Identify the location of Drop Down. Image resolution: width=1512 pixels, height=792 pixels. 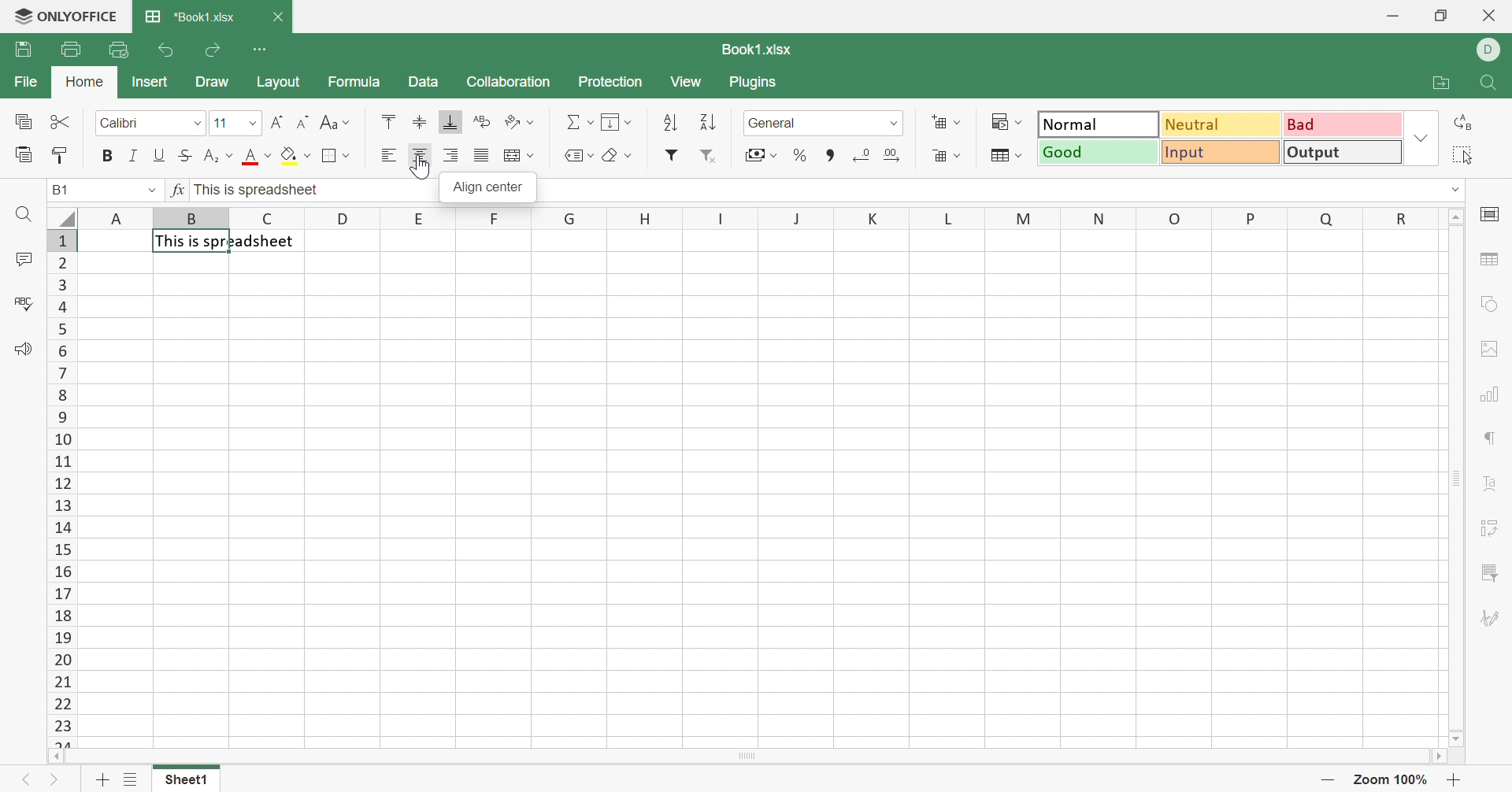
(532, 123).